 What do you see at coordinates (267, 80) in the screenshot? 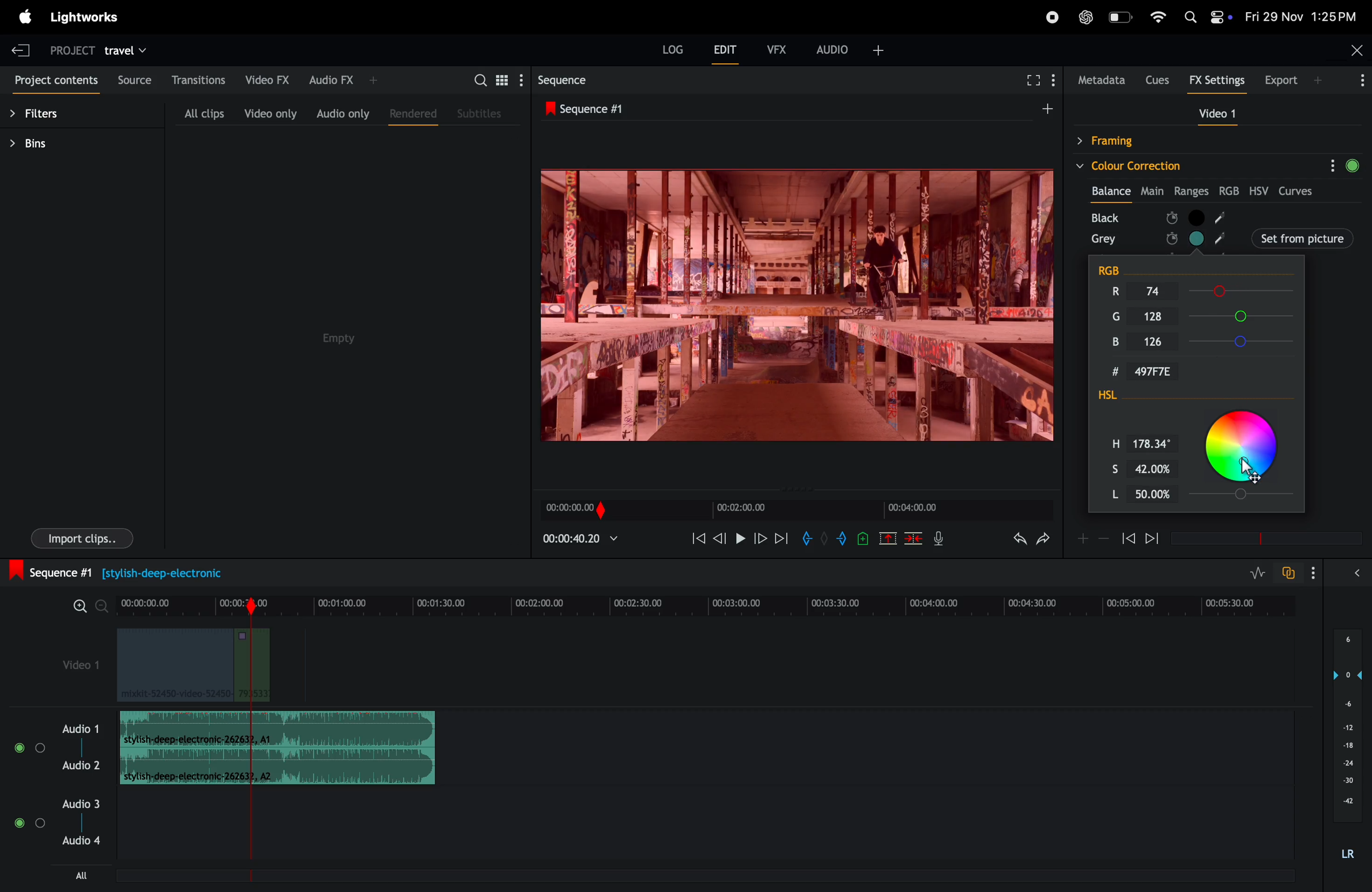
I see `video fx` at bounding box center [267, 80].